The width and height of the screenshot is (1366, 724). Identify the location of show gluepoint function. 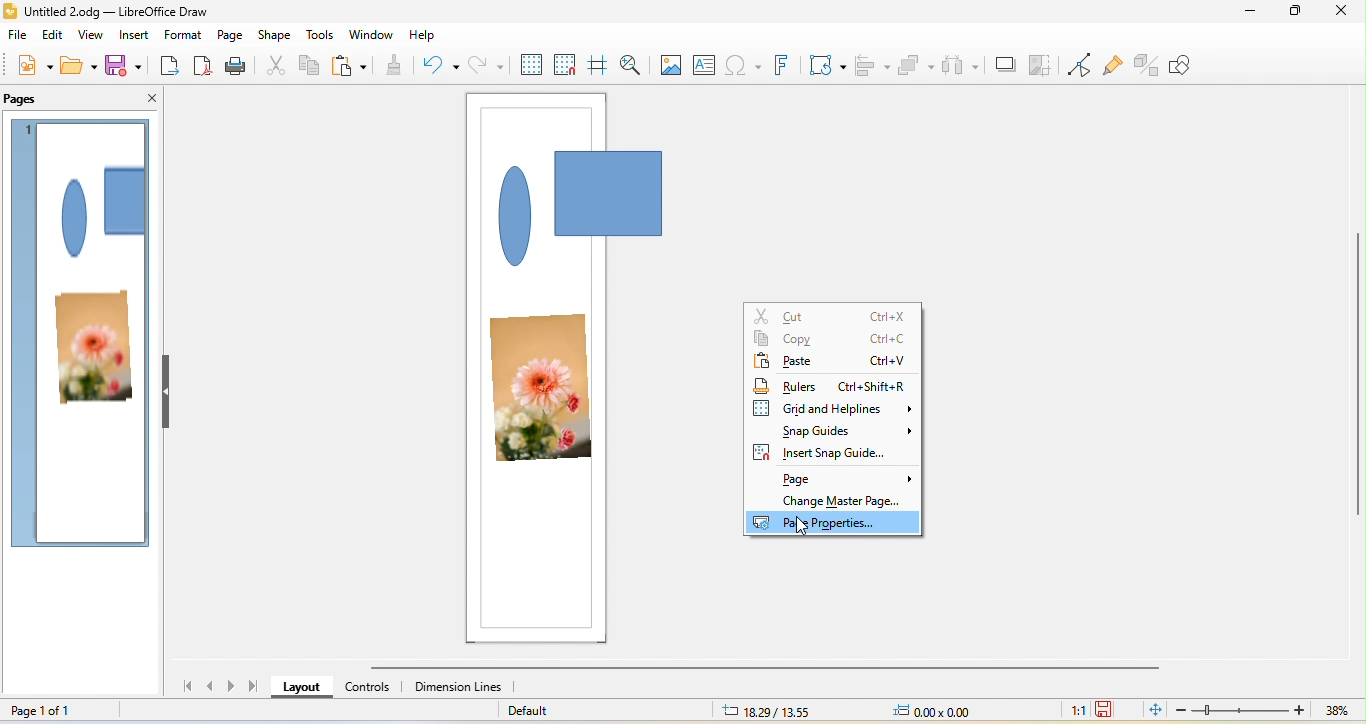
(1114, 63).